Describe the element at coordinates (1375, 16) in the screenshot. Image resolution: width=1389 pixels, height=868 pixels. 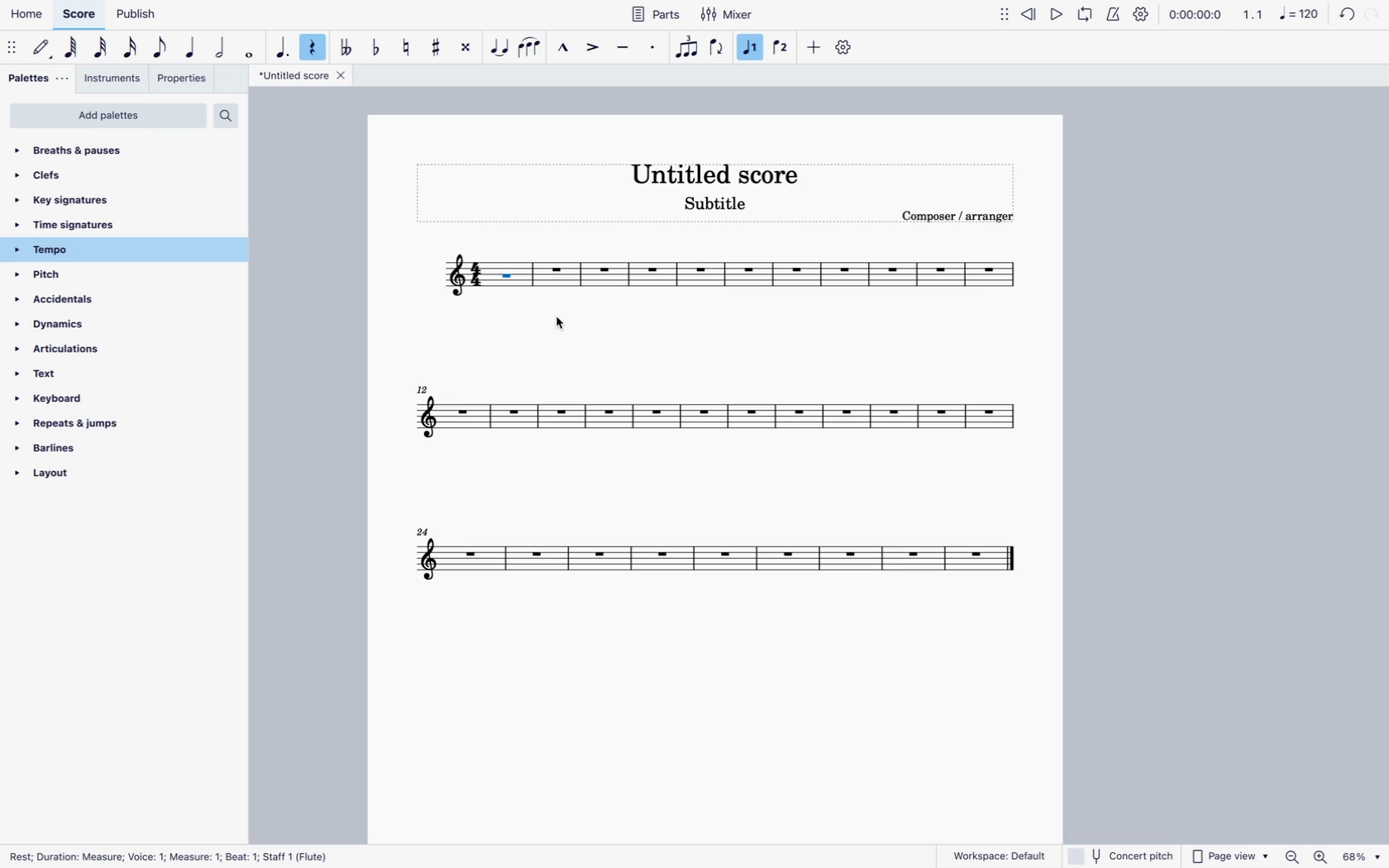
I see `forward` at that location.